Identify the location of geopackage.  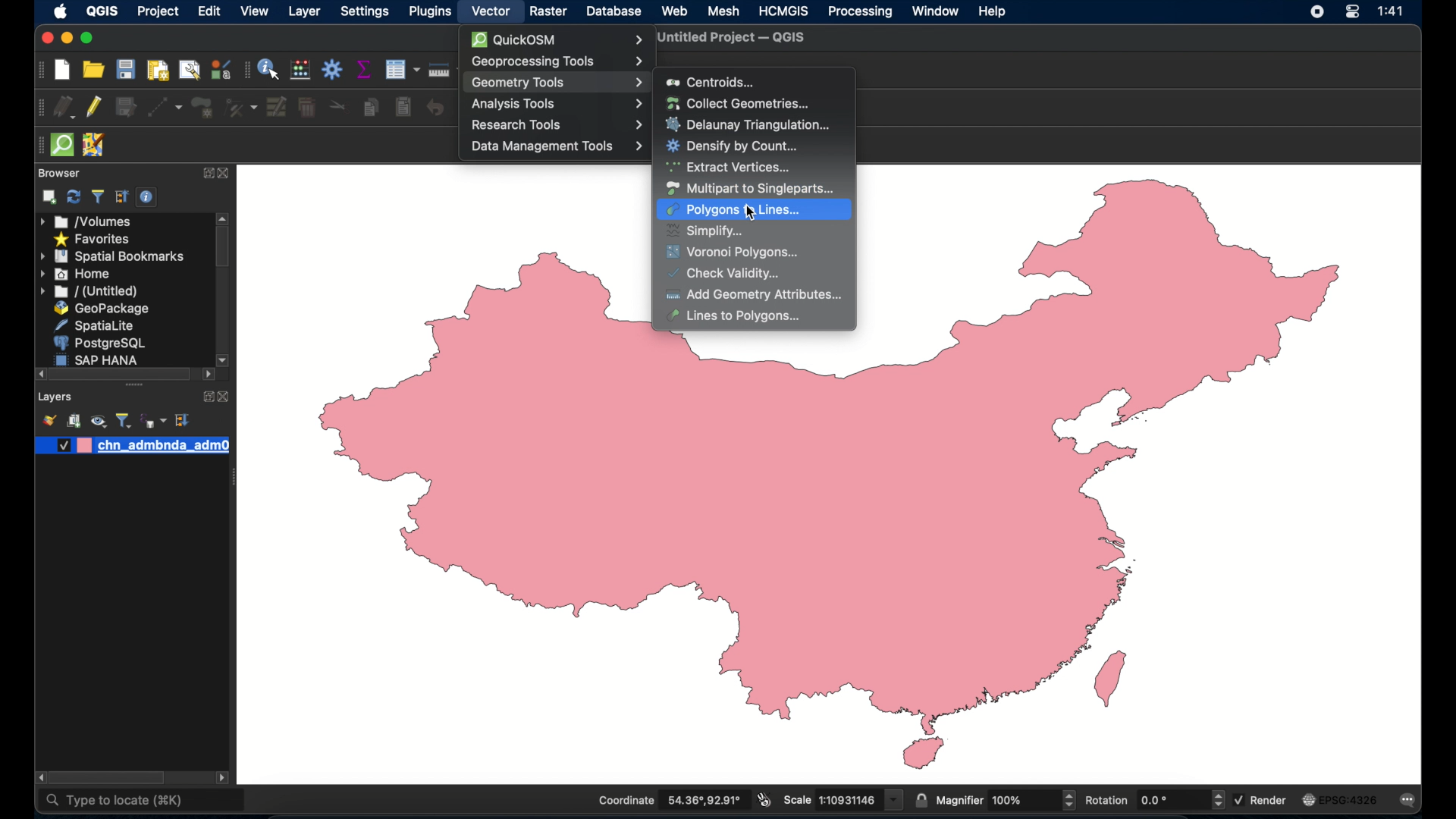
(105, 309).